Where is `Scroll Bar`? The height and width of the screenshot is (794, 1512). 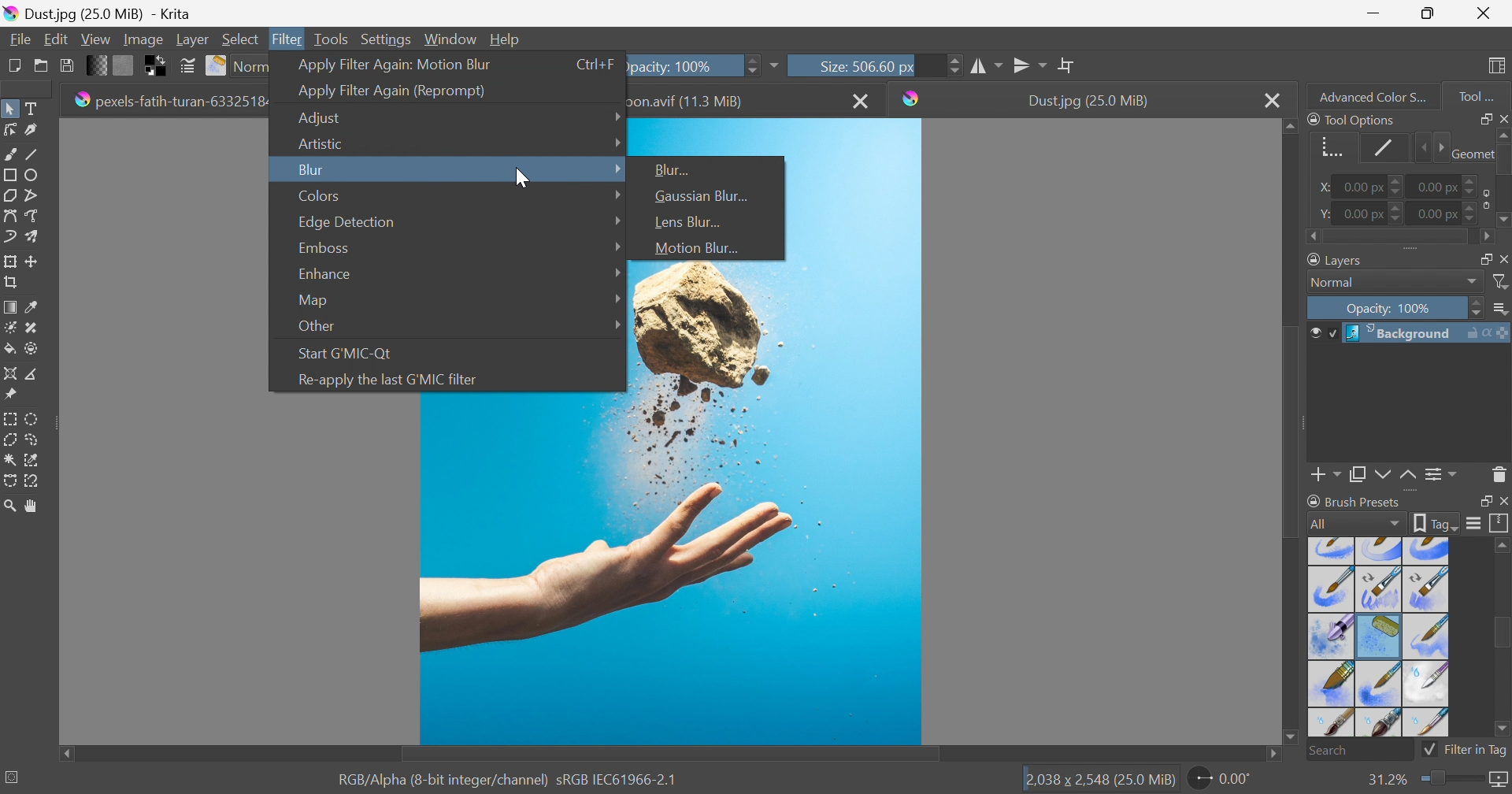
Scroll Bar is located at coordinates (1292, 429).